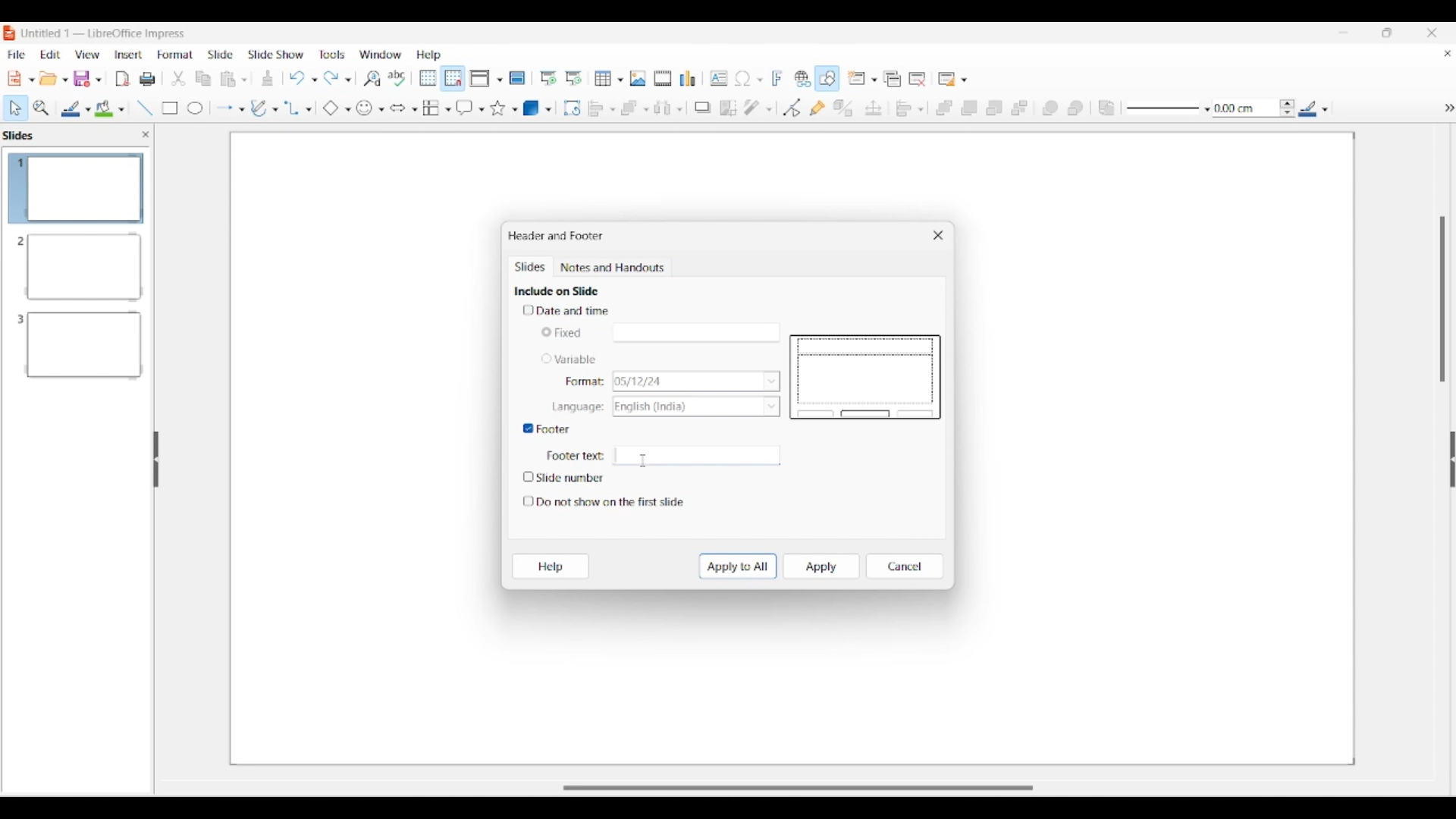 Image resolution: width=1456 pixels, height=819 pixels. What do you see at coordinates (53, 78) in the screenshot?
I see `Open document options` at bounding box center [53, 78].